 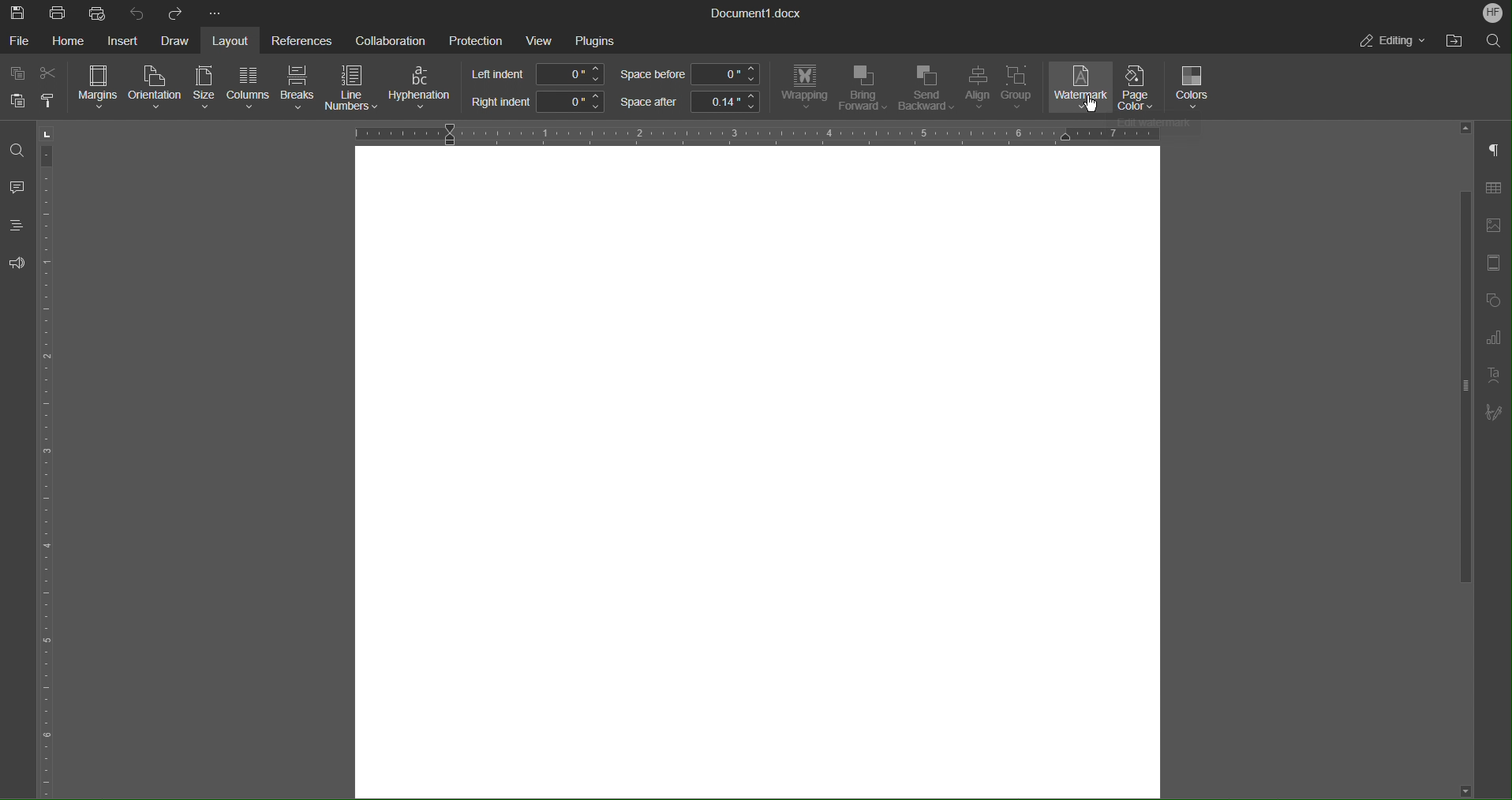 What do you see at coordinates (539, 74) in the screenshot?
I see `Left indent` at bounding box center [539, 74].